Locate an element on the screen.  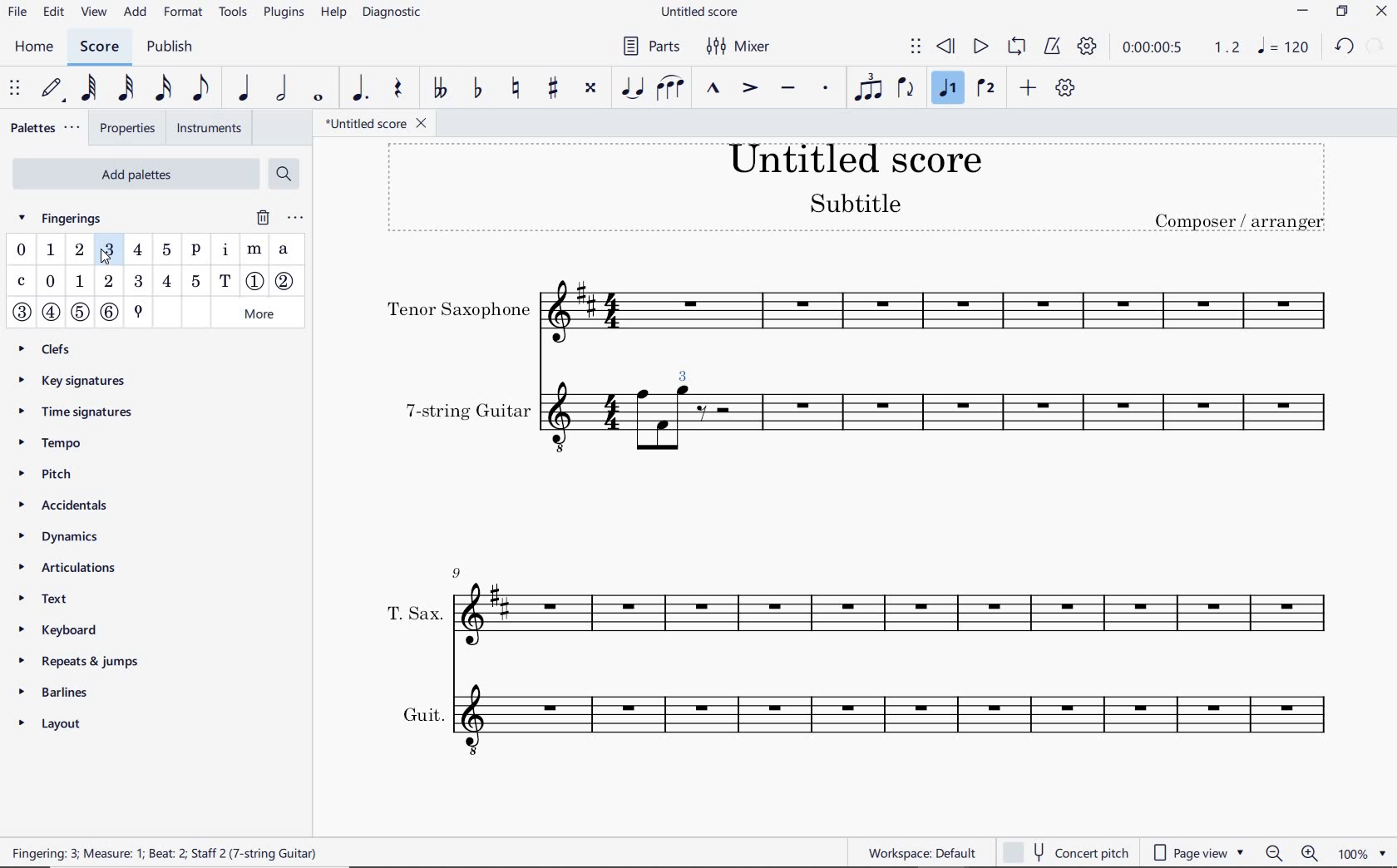
INSTRUMENT: GUIT is located at coordinates (856, 717).